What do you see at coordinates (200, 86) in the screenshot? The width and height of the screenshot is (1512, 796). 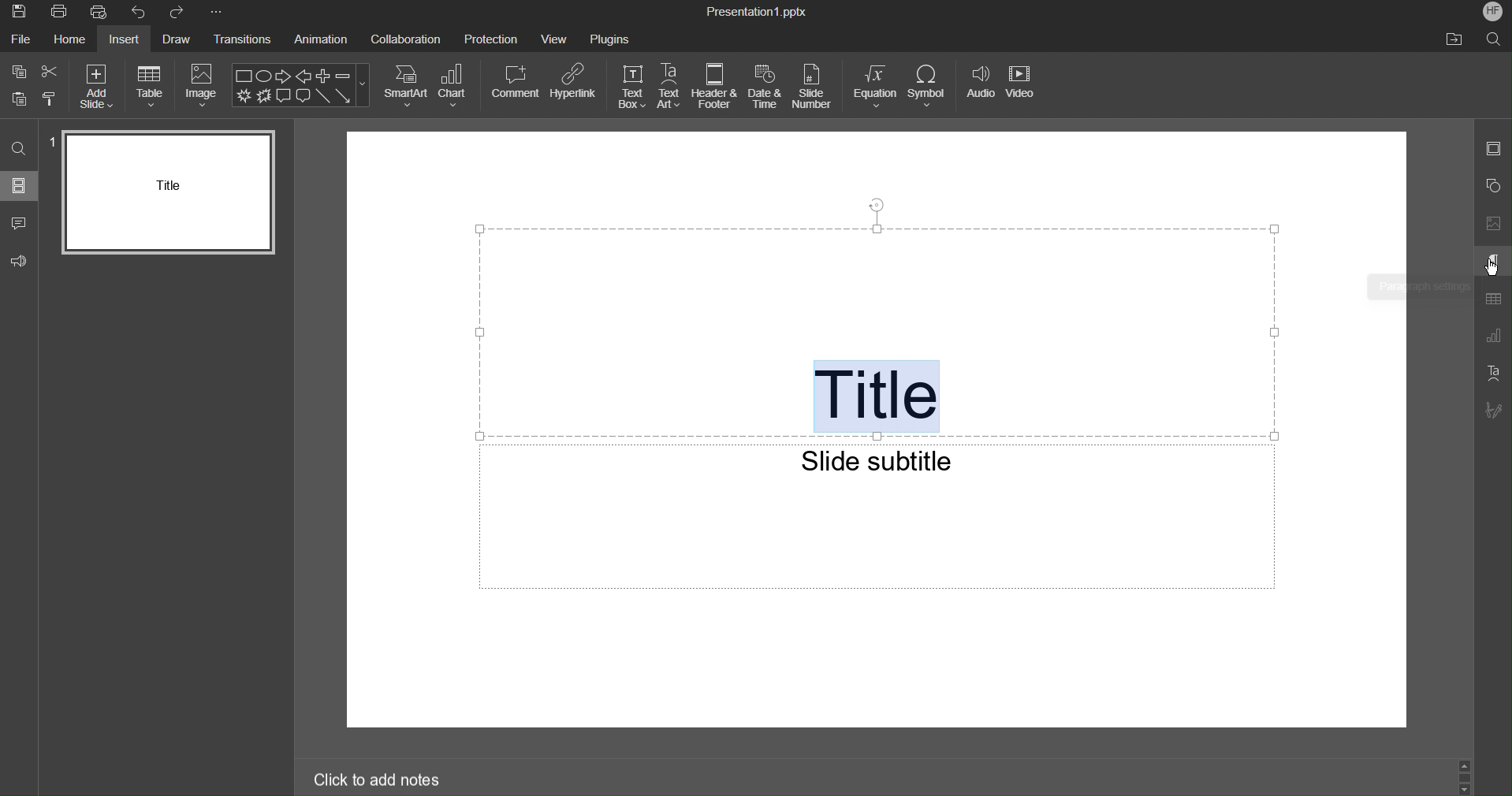 I see `Image` at bounding box center [200, 86].